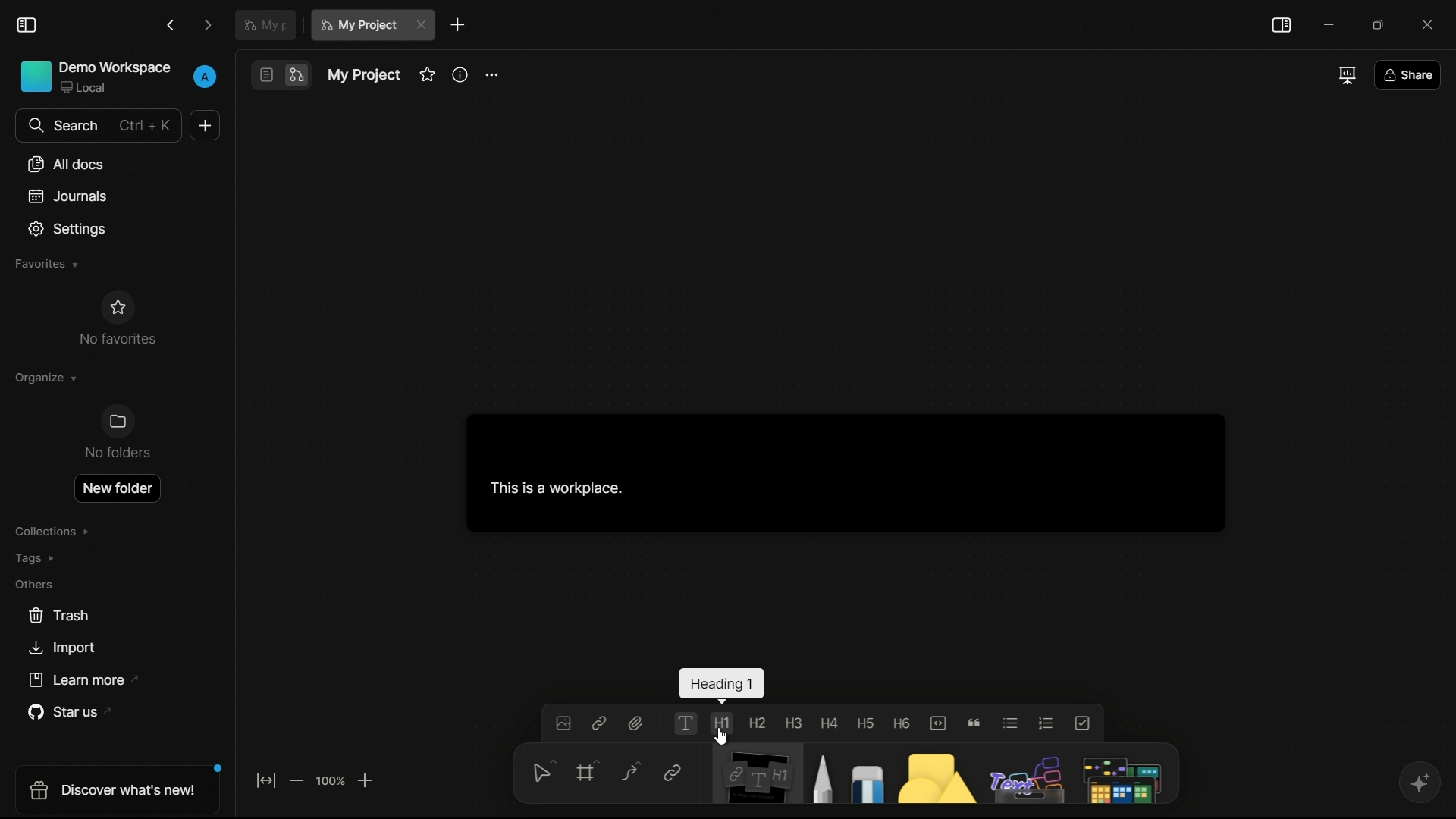  What do you see at coordinates (723, 686) in the screenshot?
I see `heading 1 pop up` at bounding box center [723, 686].